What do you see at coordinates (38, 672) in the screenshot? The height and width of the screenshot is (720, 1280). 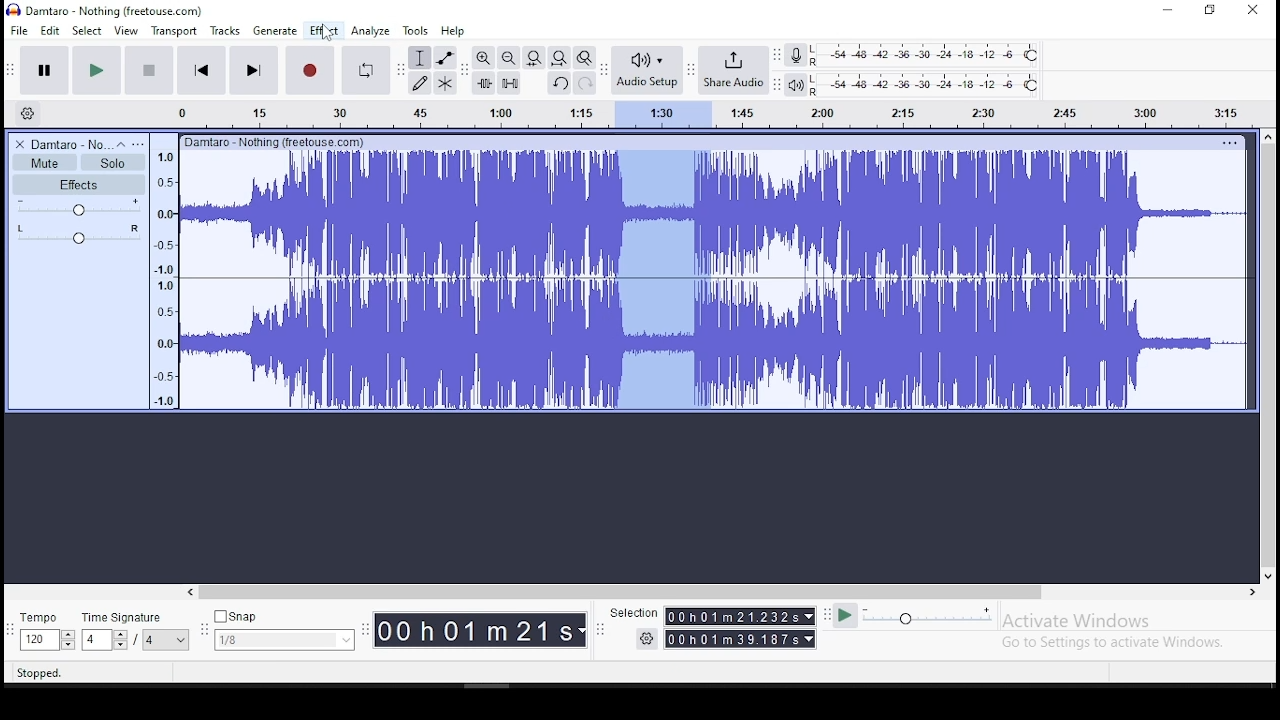 I see `Stopped.` at bounding box center [38, 672].